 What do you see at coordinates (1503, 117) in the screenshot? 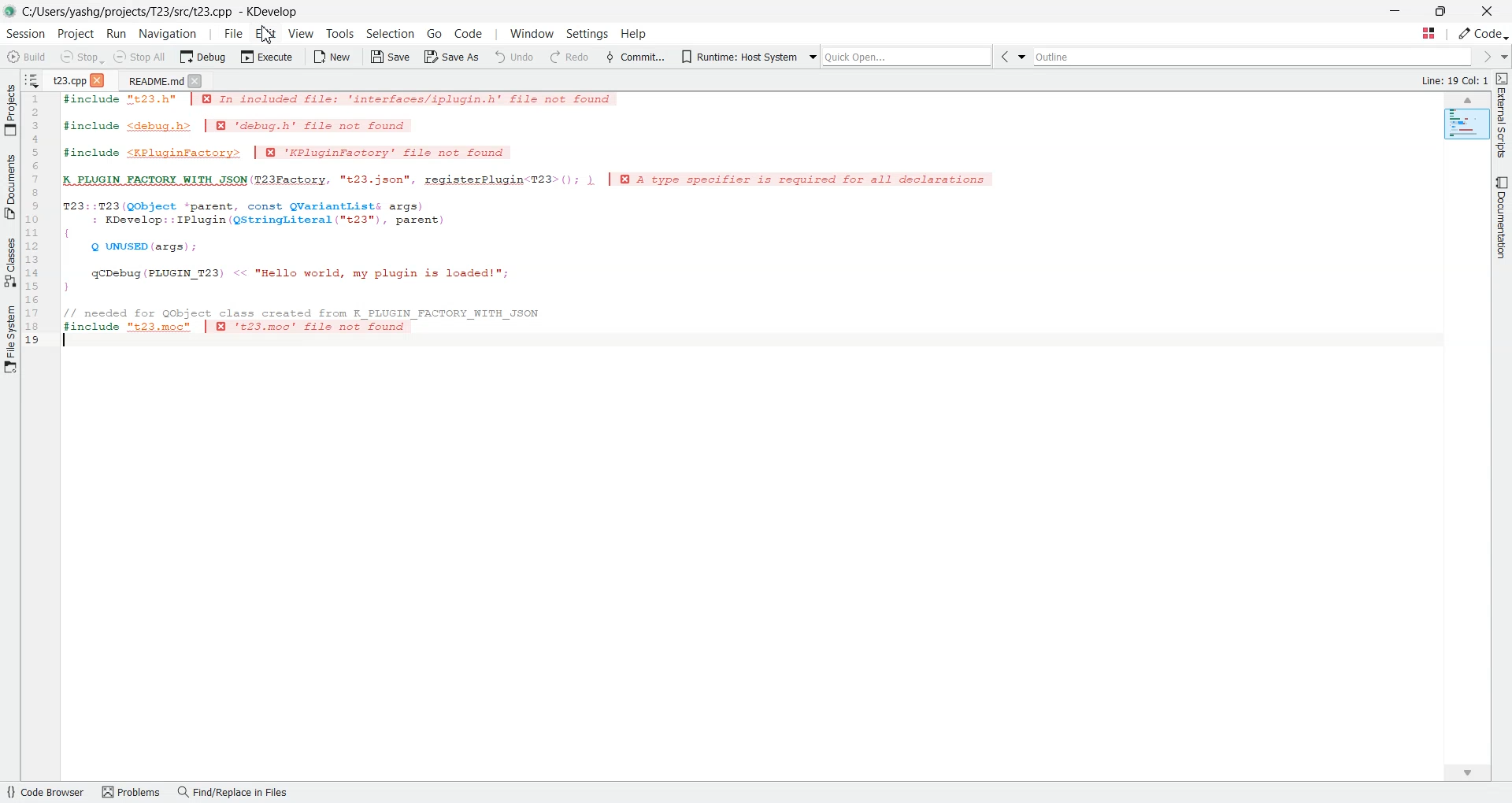
I see `External Script` at bounding box center [1503, 117].